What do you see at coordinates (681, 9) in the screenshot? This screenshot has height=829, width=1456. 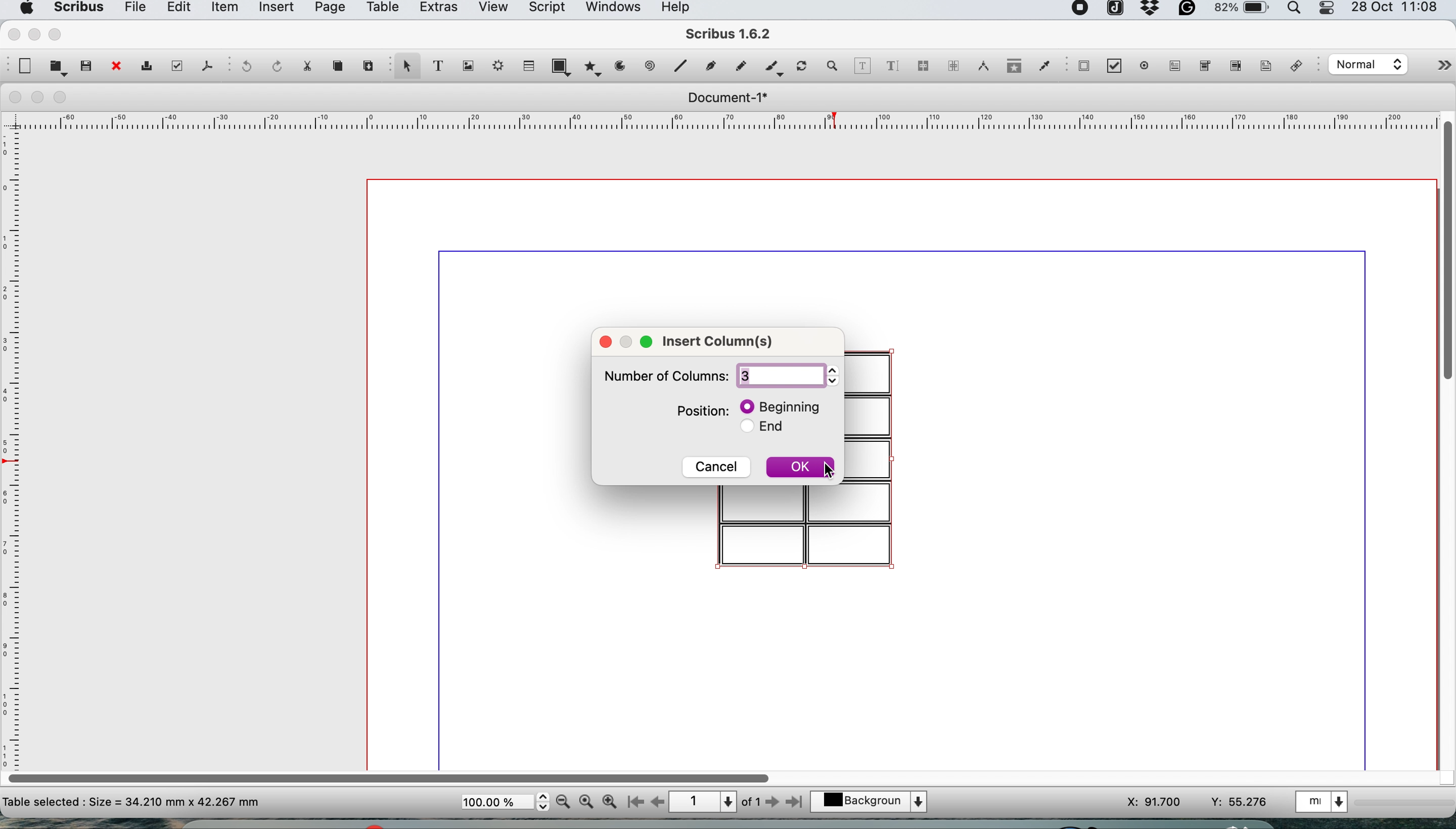 I see `help` at bounding box center [681, 9].